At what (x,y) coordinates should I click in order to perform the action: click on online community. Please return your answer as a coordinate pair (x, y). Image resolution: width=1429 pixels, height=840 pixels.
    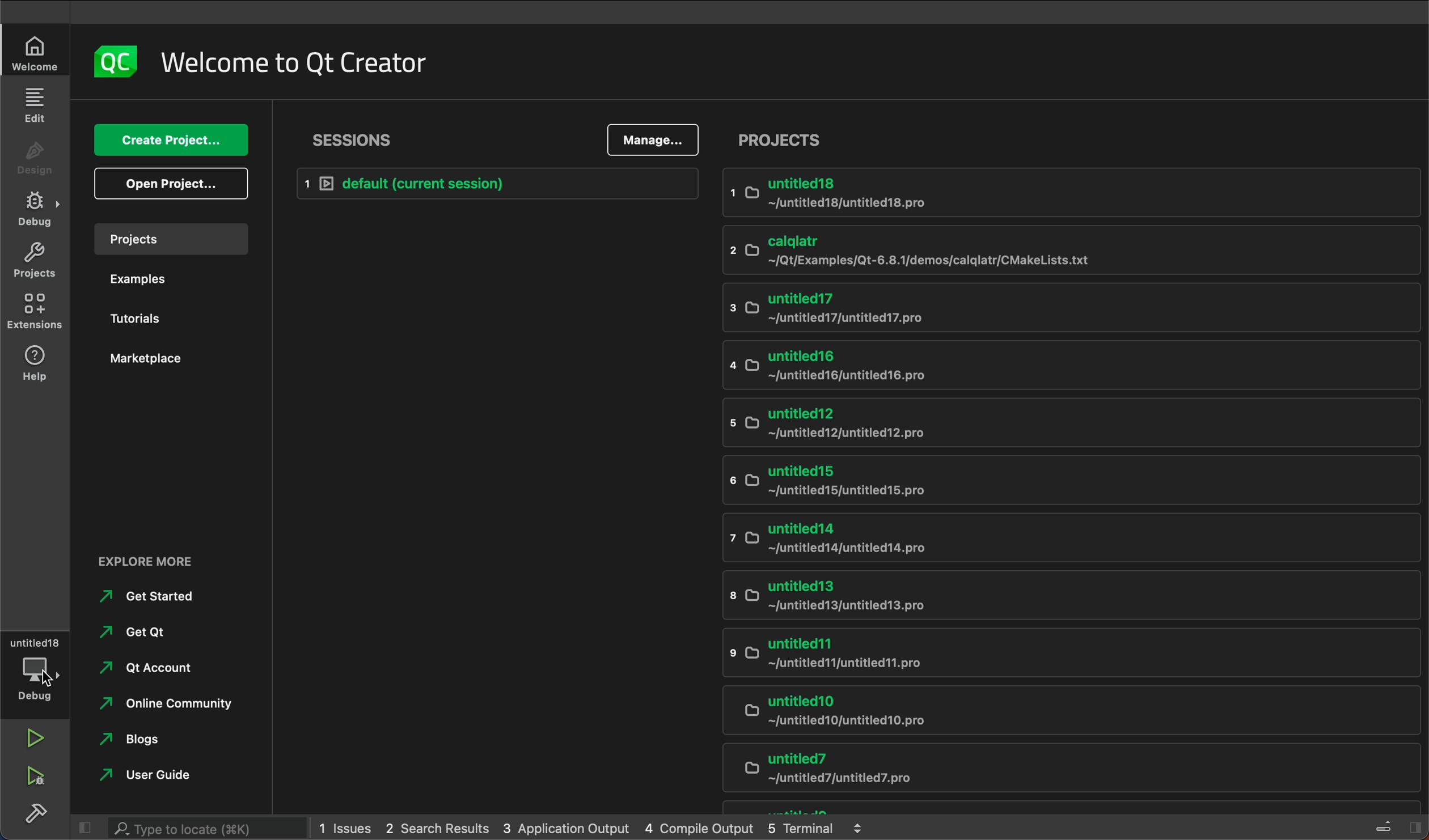
    Looking at the image, I should click on (166, 703).